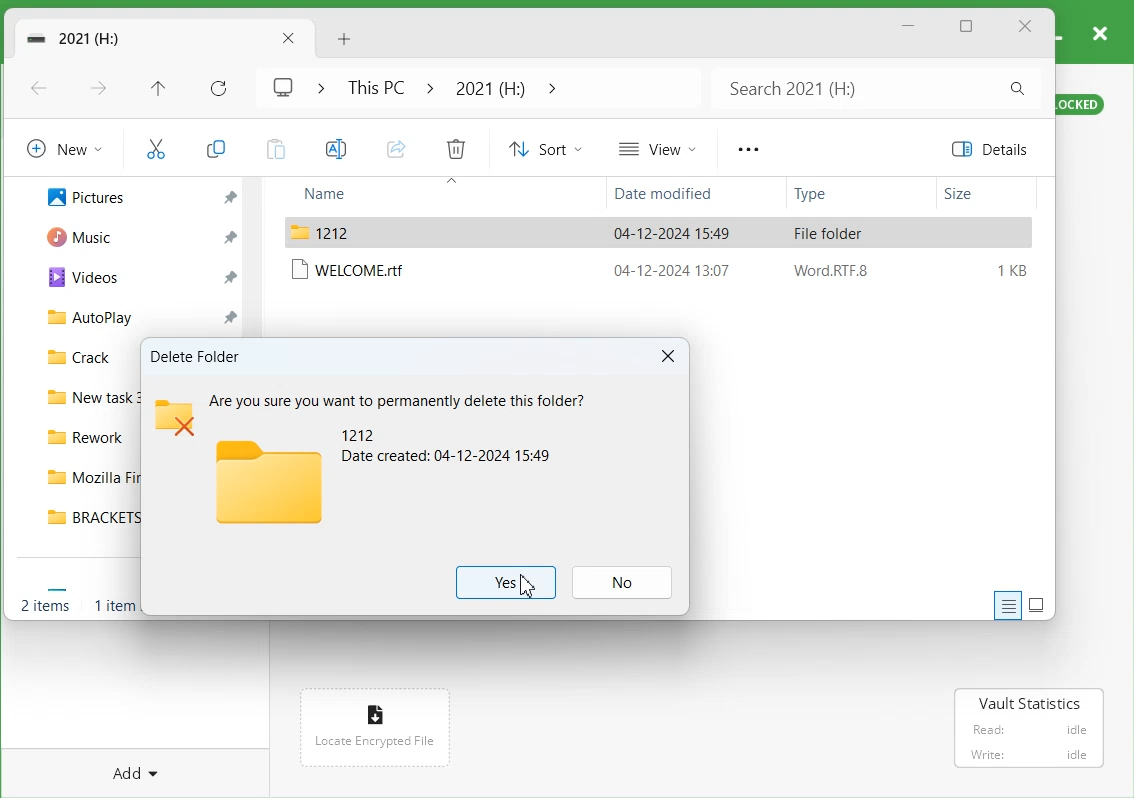 The width and height of the screenshot is (1134, 798). What do you see at coordinates (667, 357) in the screenshot?
I see `Close` at bounding box center [667, 357].